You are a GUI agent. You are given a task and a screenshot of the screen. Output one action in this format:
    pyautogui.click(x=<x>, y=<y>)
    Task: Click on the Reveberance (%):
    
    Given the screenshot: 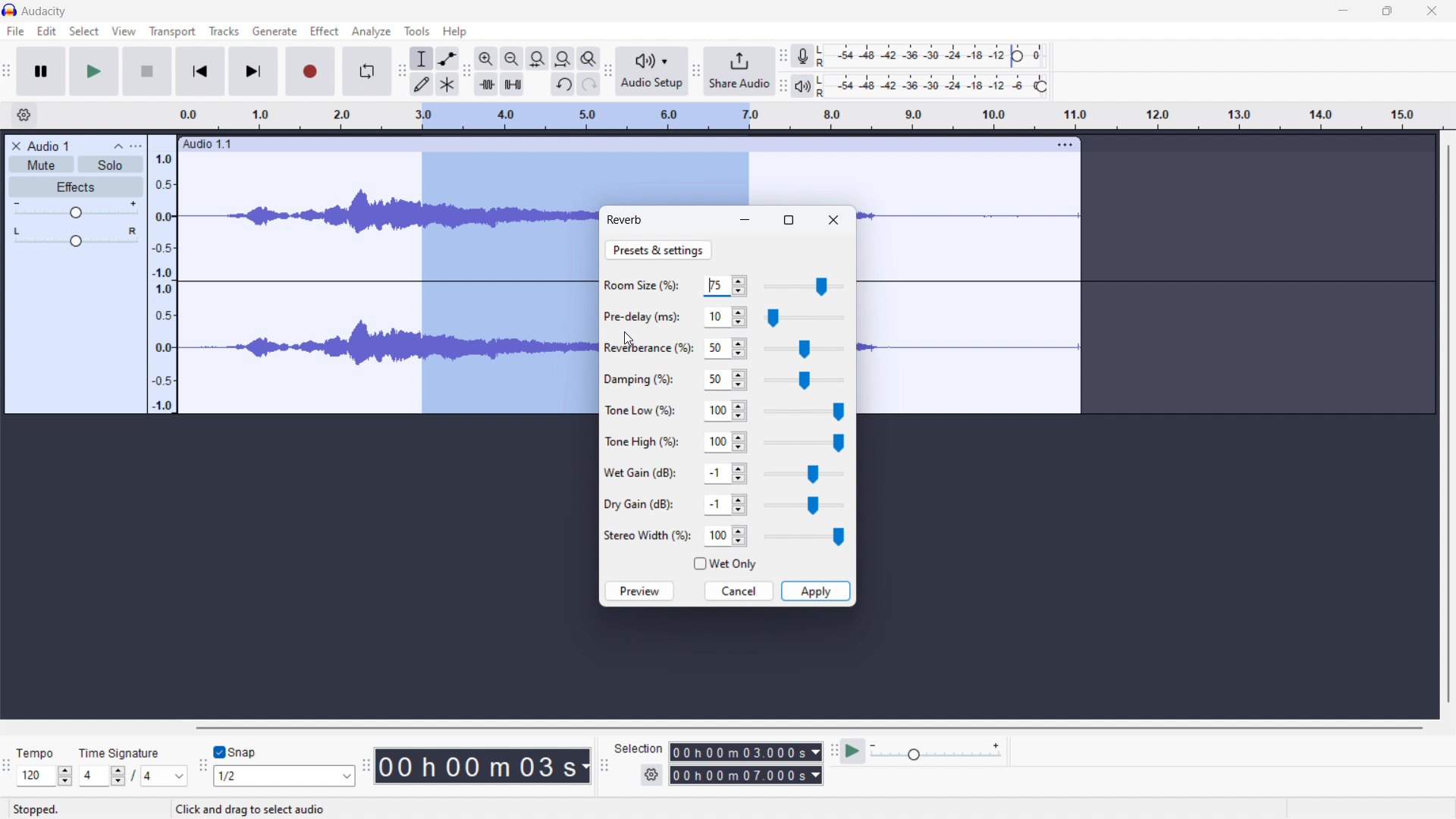 What is the action you would take?
    pyautogui.click(x=649, y=347)
    